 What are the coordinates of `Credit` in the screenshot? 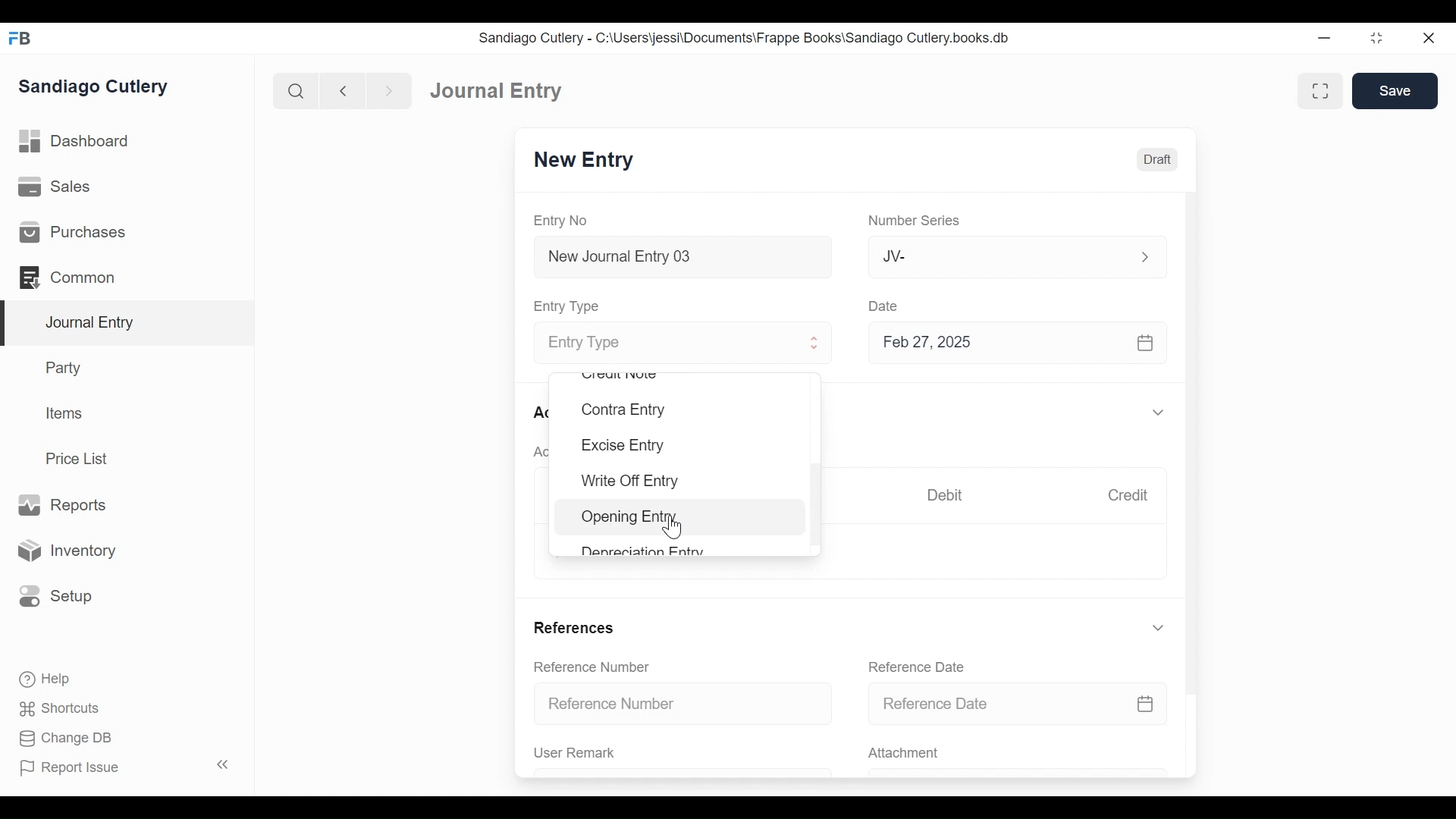 It's located at (1130, 495).